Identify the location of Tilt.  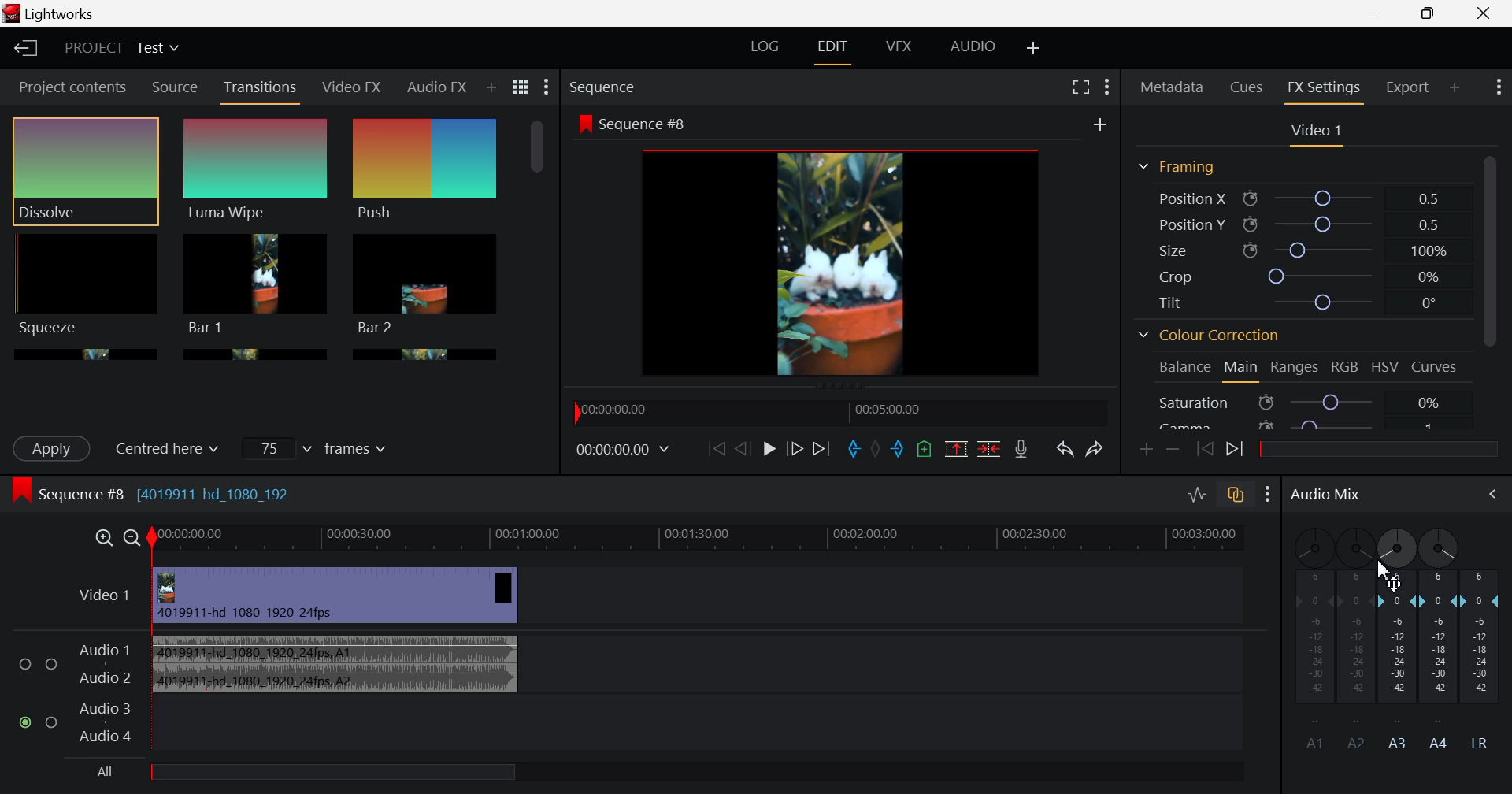
(1299, 304).